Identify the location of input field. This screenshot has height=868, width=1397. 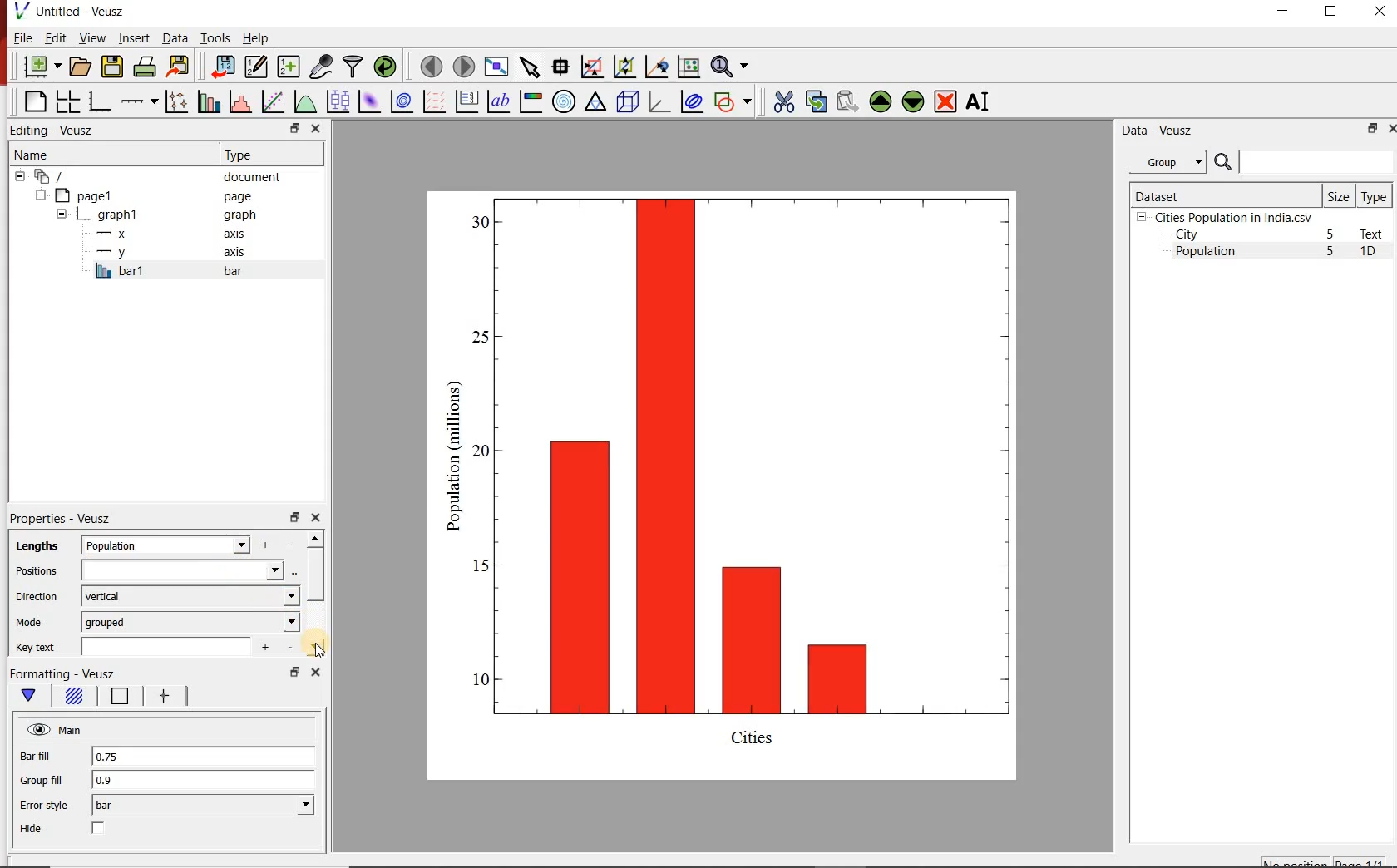
(184, 570).